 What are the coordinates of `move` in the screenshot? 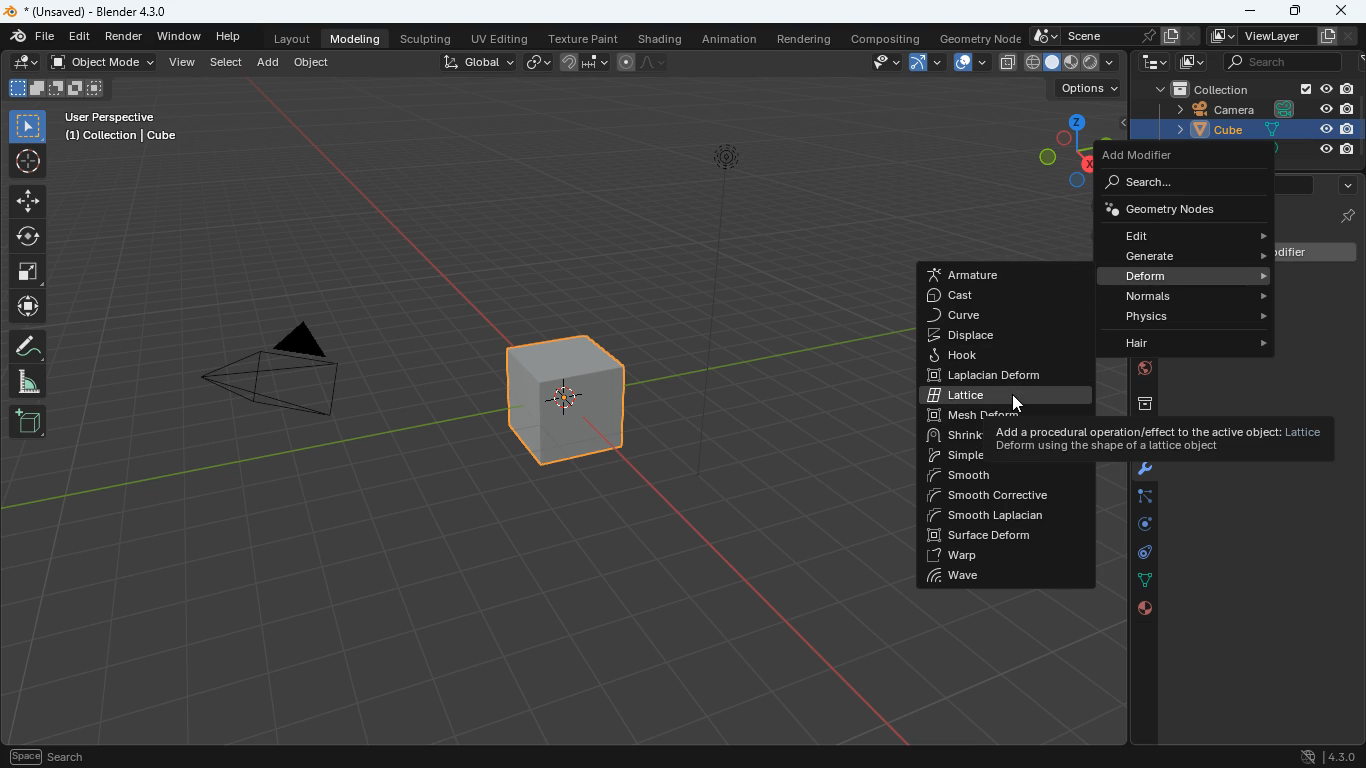 It's located at (30, 308).